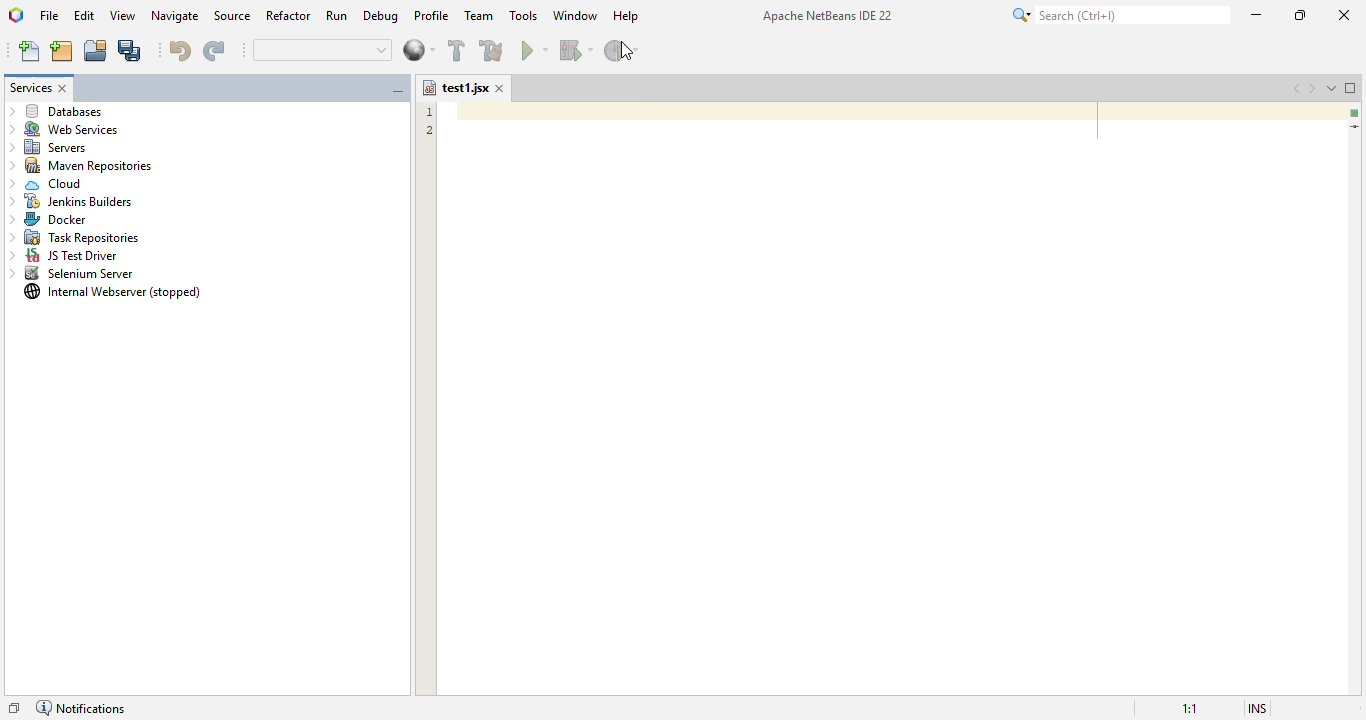 Image resolution: width=1366 pixels, height=720 pixels. What do you see at coordinates (1352, 112) in the screenshot?
I see `no errors` at bounding box center [1352, 112].